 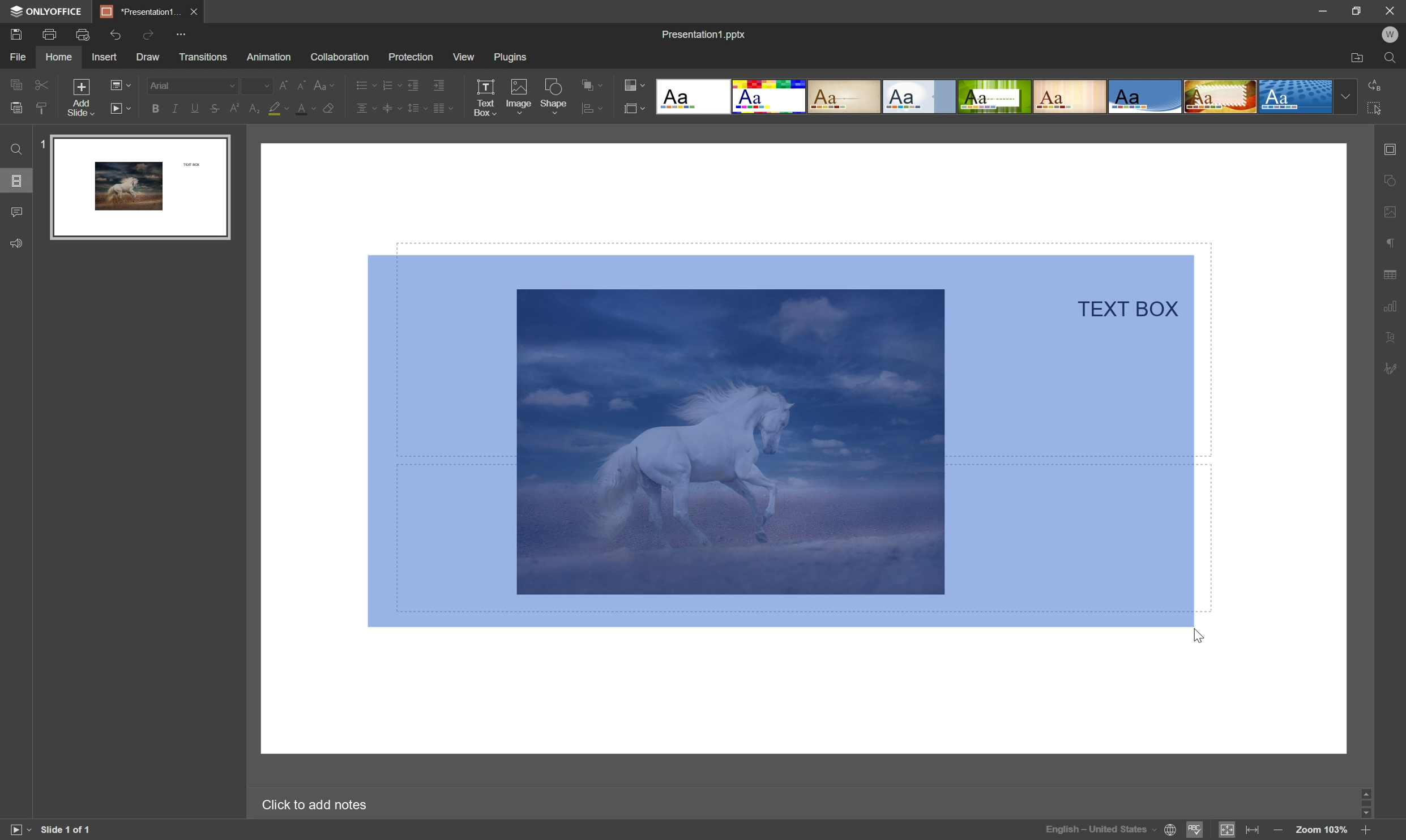 I want to click on draw, so click(x=148, y=58).